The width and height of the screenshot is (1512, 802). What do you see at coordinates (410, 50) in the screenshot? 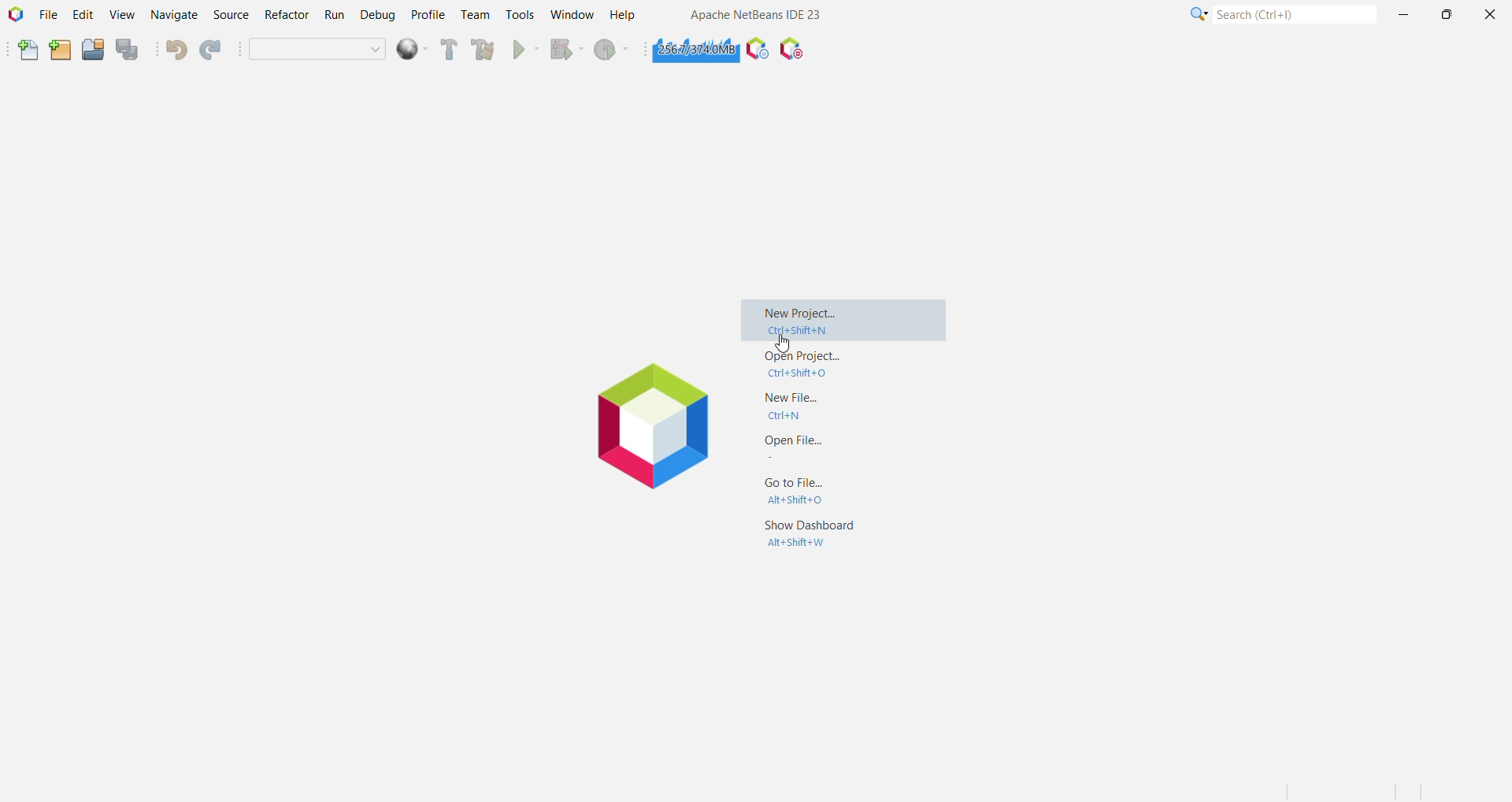
I see `deploy` at bounding box center [410, 50].